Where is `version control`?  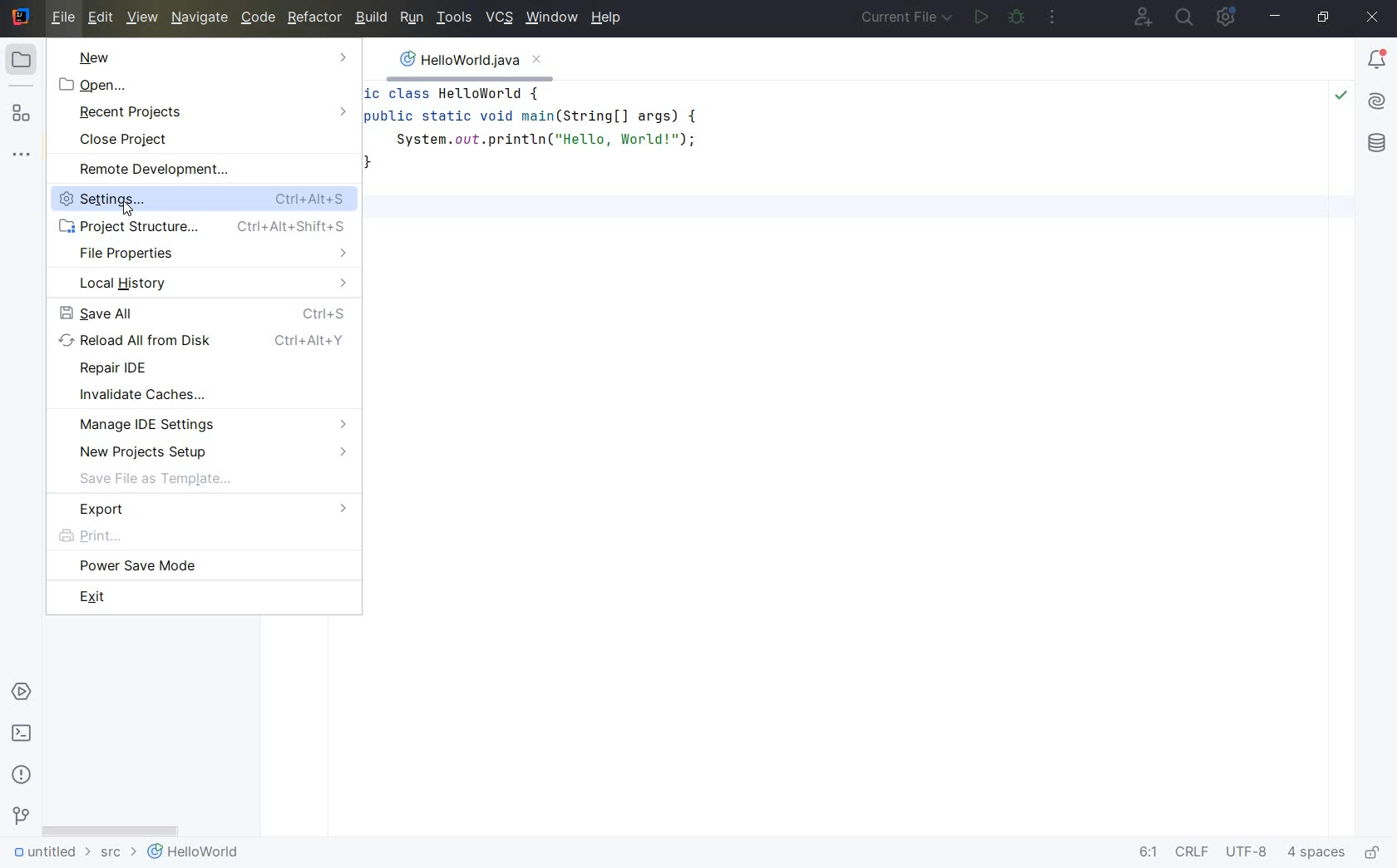 version control is located at coordinates (20, 818).